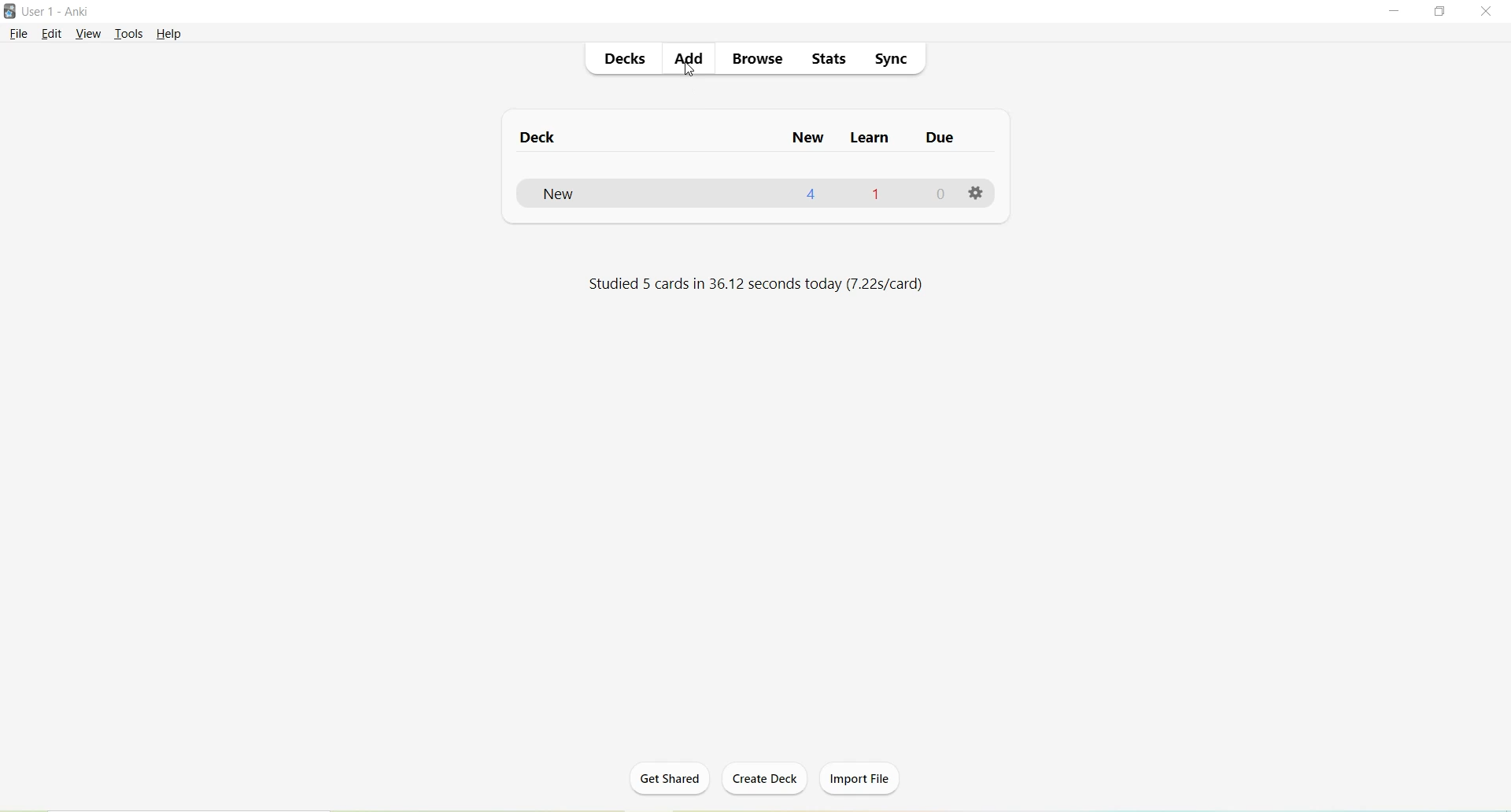  What do you see at coordinates (759, 778) in the screenshot?
I see `Create Deck` at bounding box center [759, 778].